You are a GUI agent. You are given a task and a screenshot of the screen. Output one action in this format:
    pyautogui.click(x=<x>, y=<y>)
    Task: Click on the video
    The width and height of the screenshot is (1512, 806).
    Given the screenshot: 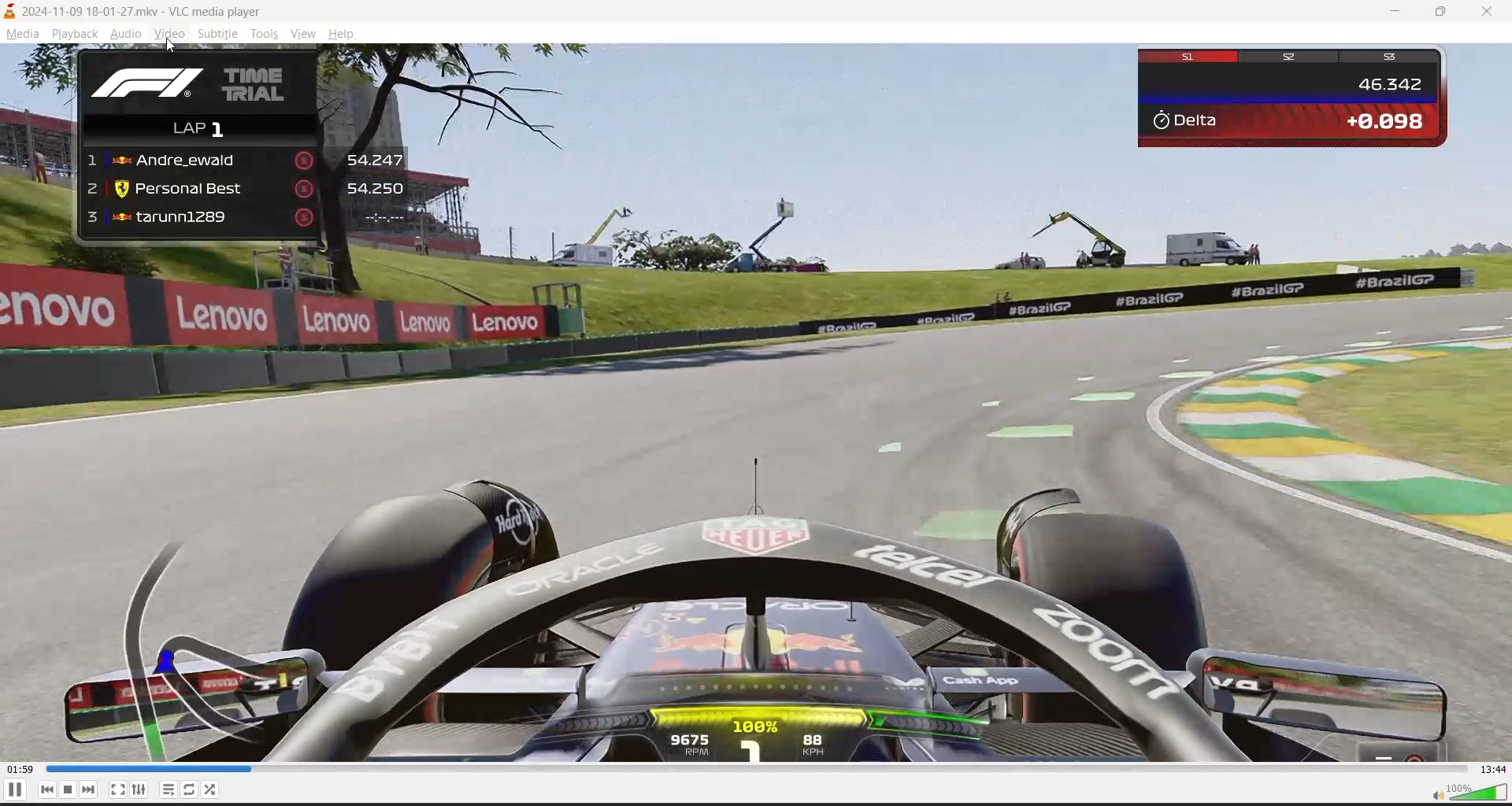 What is the action you would take?
    pyautogui.click(x=169, y=36)
    